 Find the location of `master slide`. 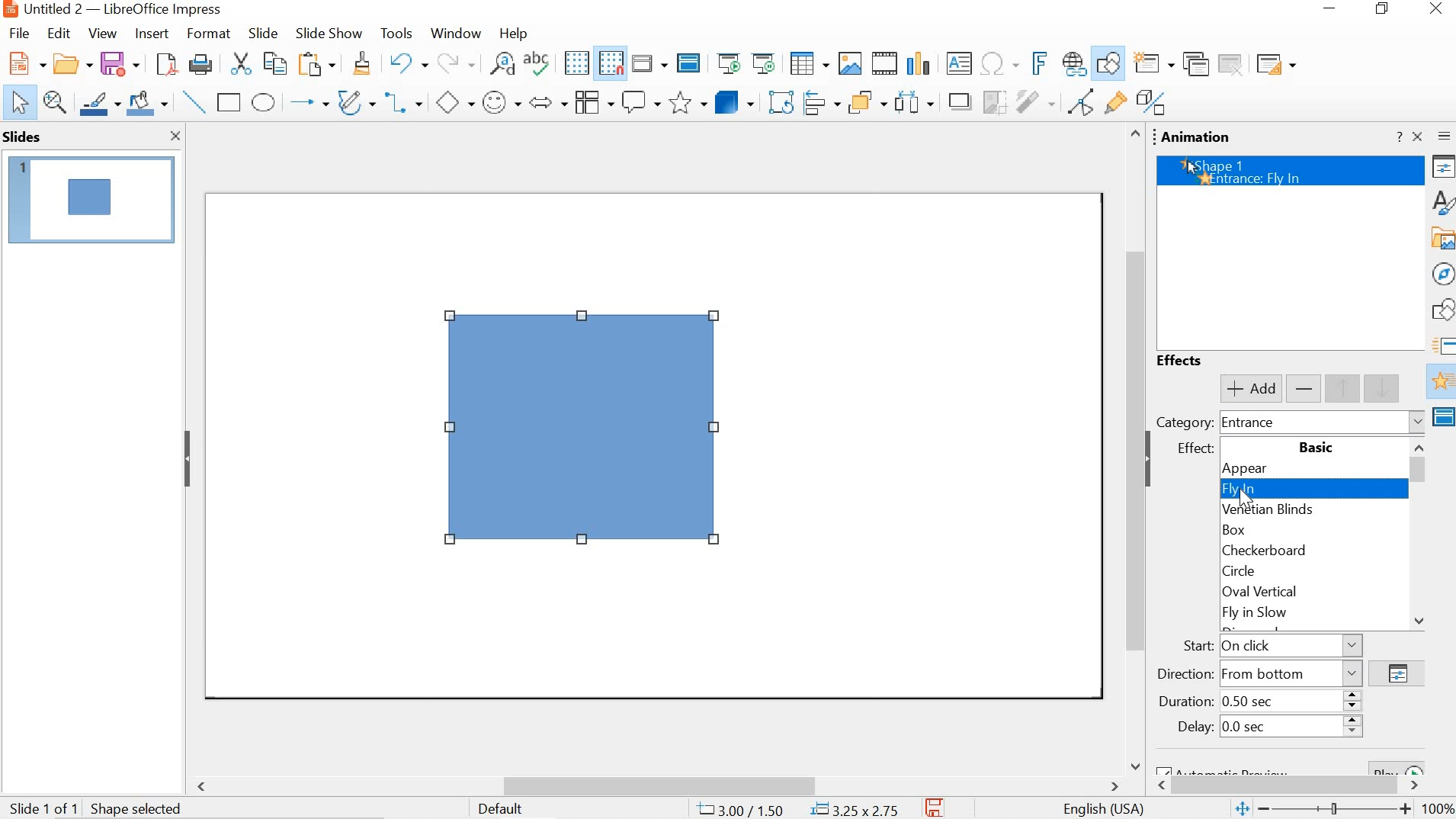

master slide is located at coordinates (689, 64).